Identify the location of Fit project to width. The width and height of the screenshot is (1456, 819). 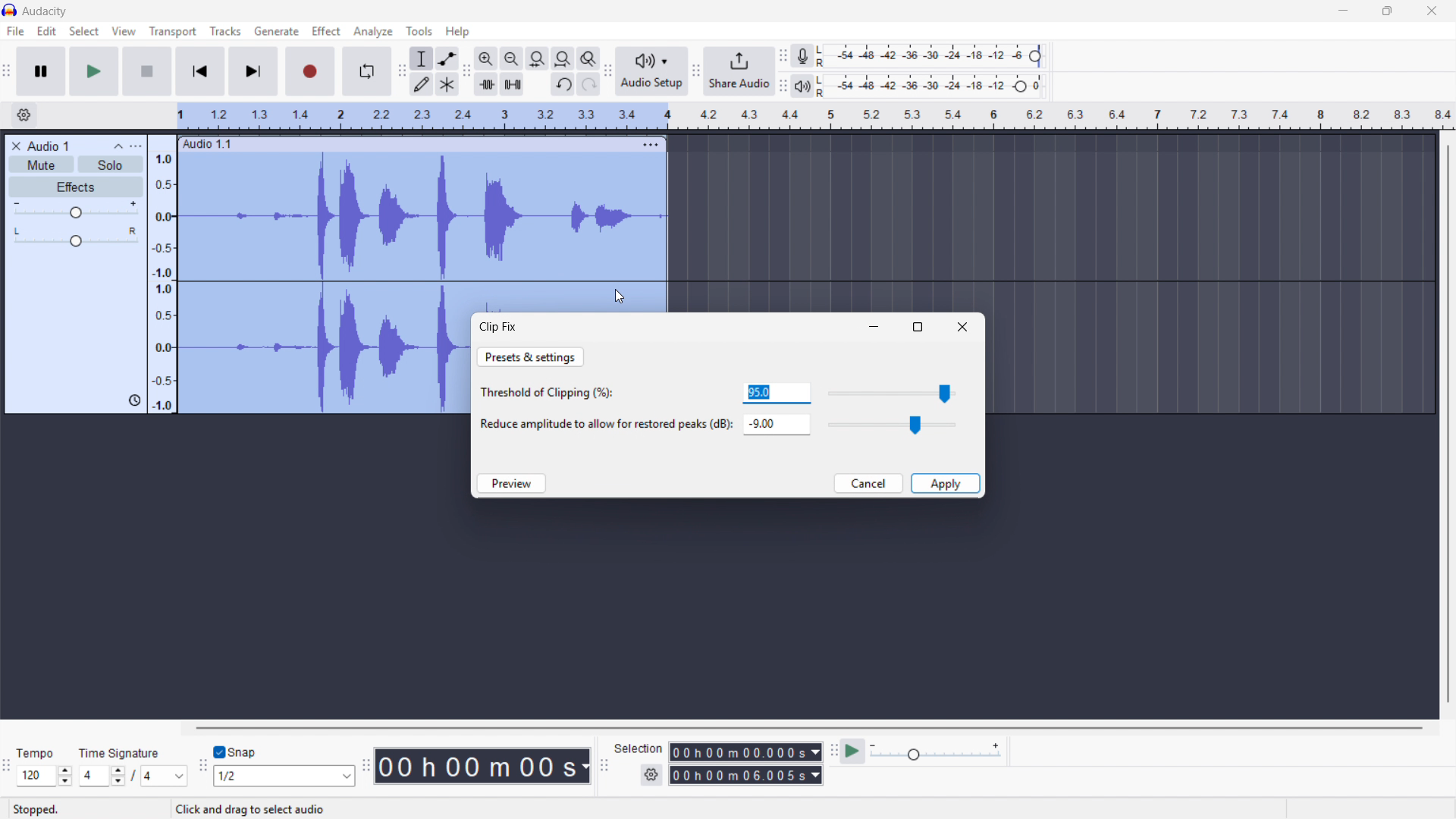
(563, 58).